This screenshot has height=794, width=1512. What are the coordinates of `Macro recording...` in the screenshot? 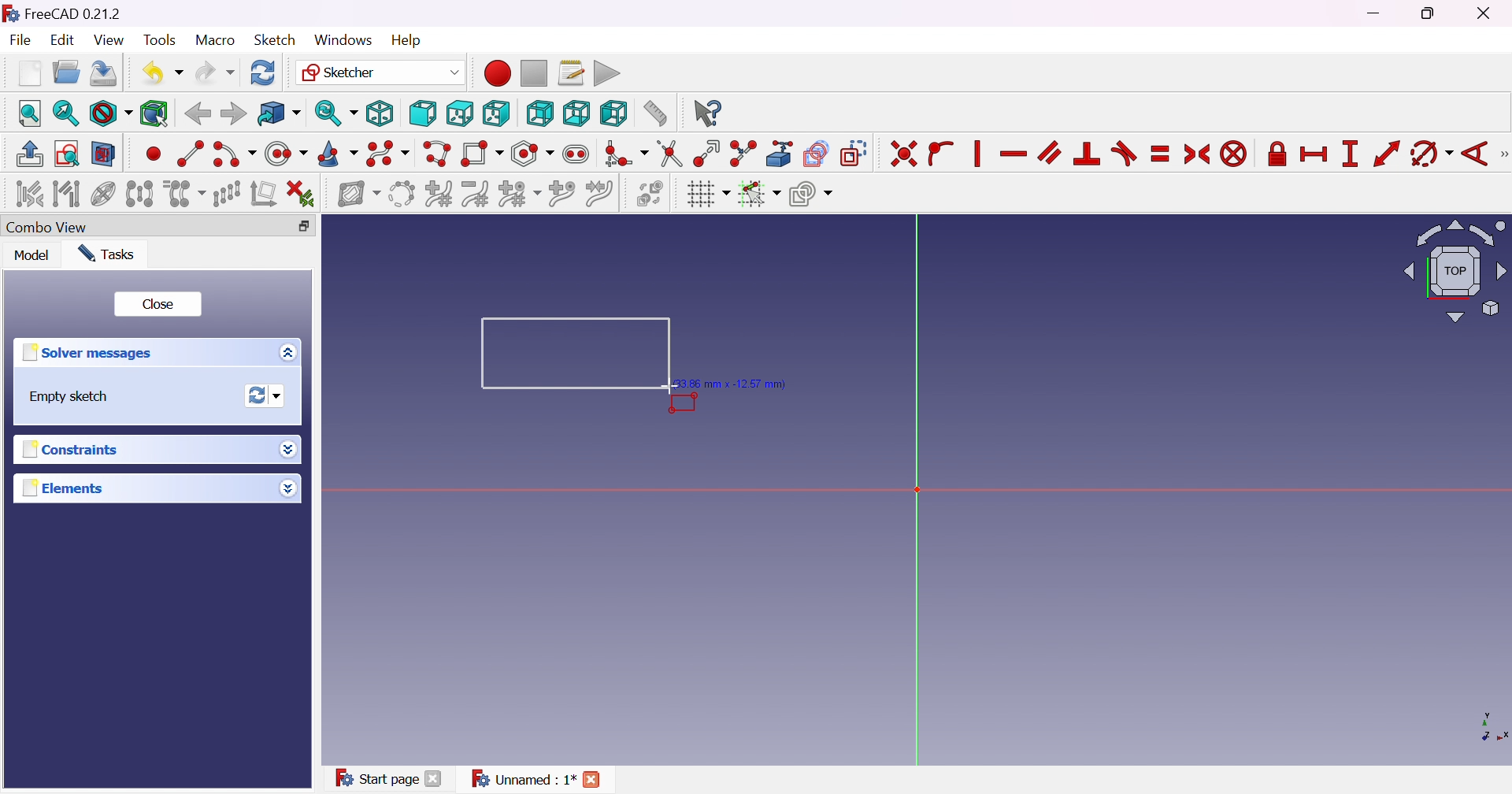 It's located at (495, 72).